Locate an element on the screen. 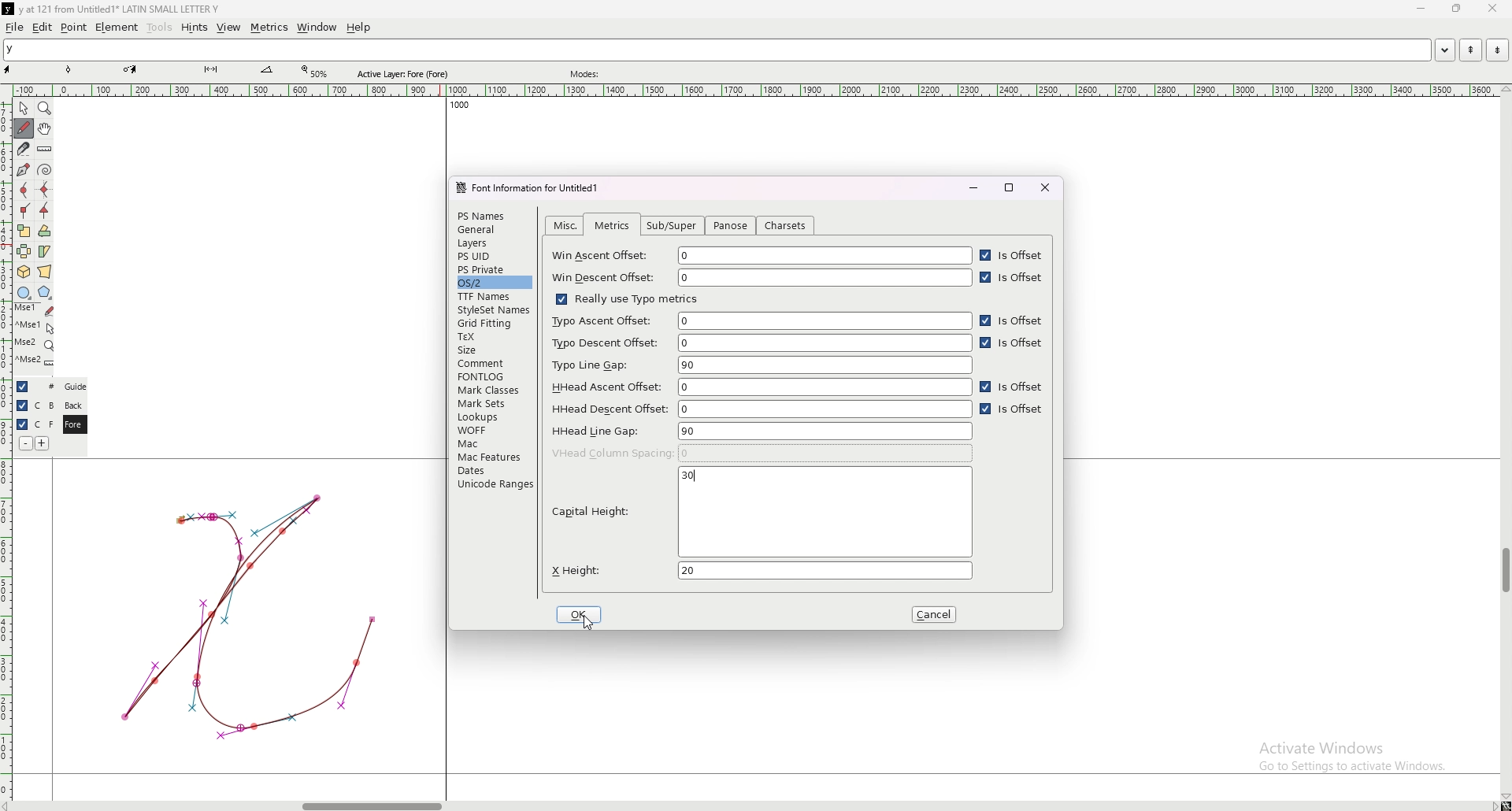  comment is located at coordinates (495, 362).